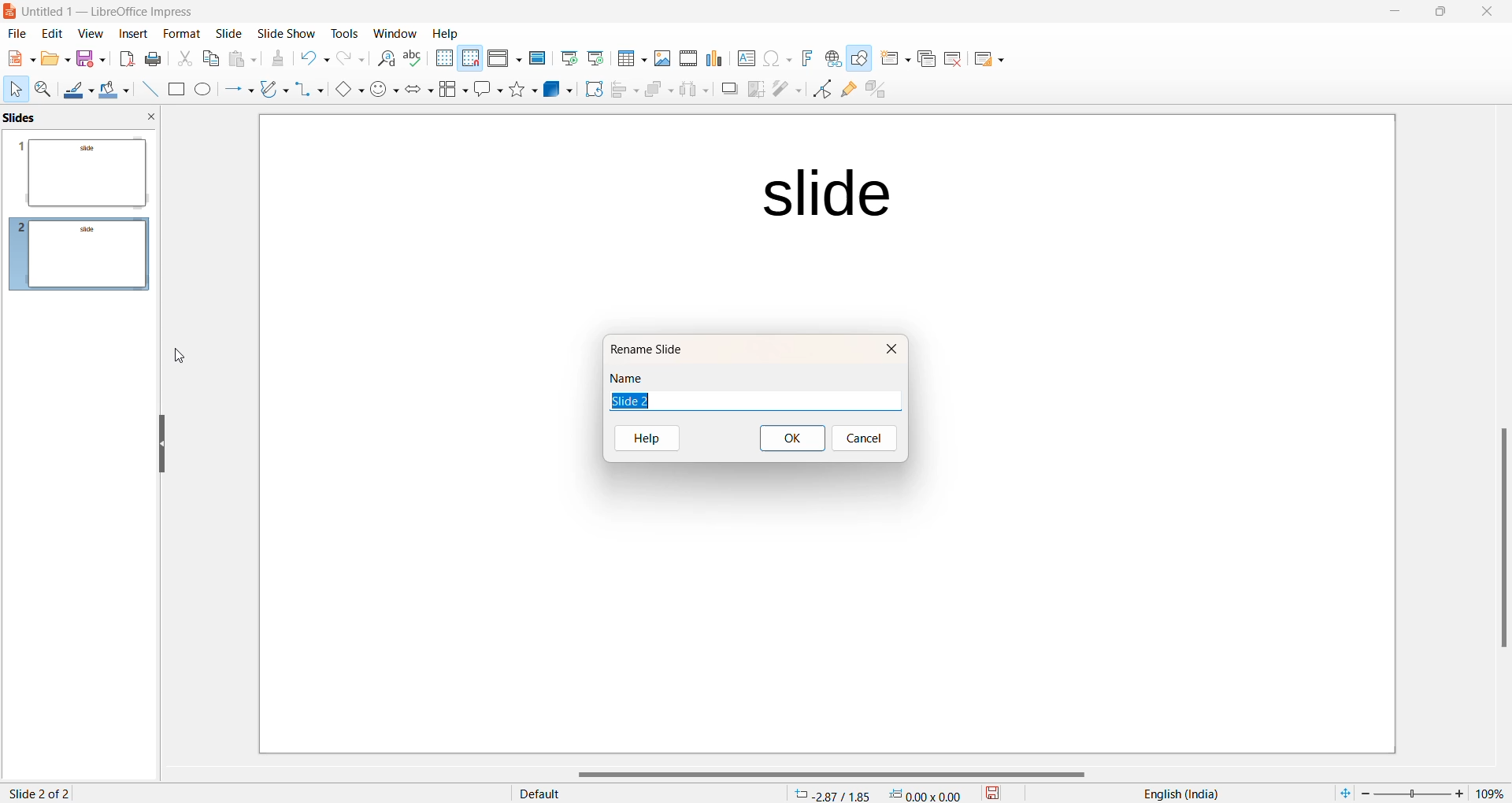 The height and width of the screenshot is (803, 1512). What do you see at coordinates (15, 35) in the screenshot?
I see `file` at bounding box center [15, 35].